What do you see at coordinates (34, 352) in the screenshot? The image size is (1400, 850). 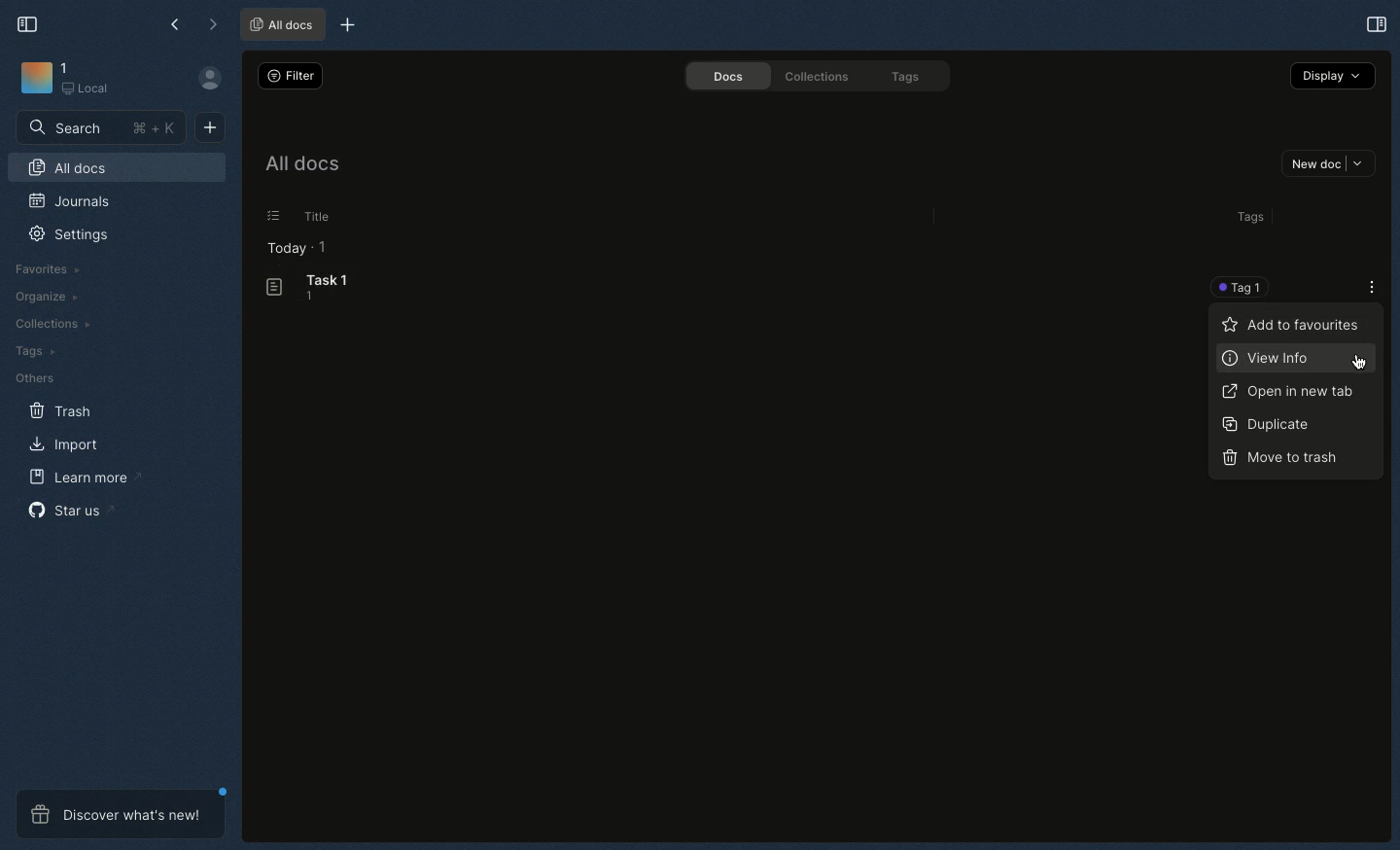 I see `Tags` at bounding box center [34, 352].